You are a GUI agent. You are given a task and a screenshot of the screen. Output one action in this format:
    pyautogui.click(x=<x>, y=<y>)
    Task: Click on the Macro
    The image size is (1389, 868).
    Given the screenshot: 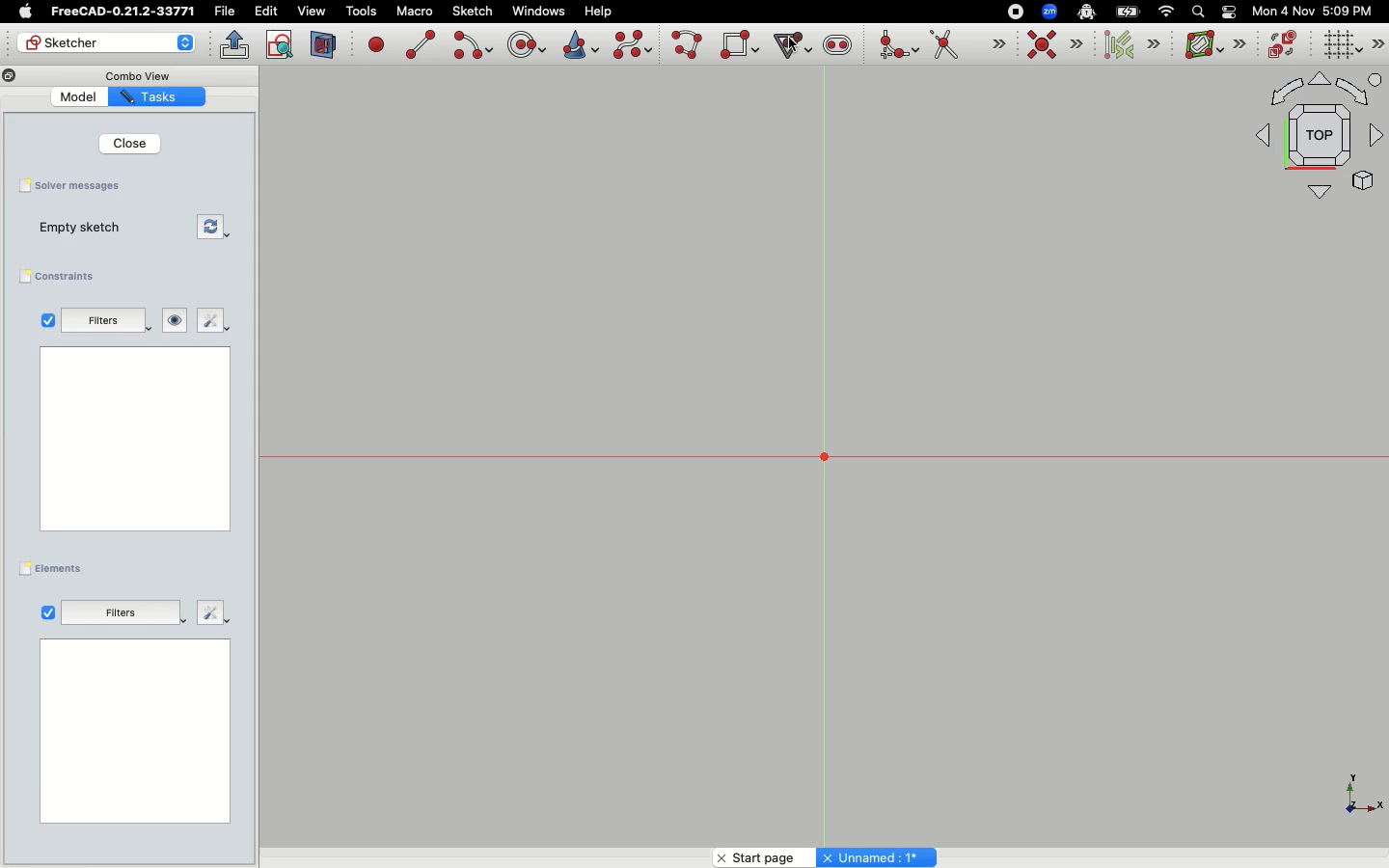 What is the action you would take?
    pyautogui.click(x=413, y=12)
    